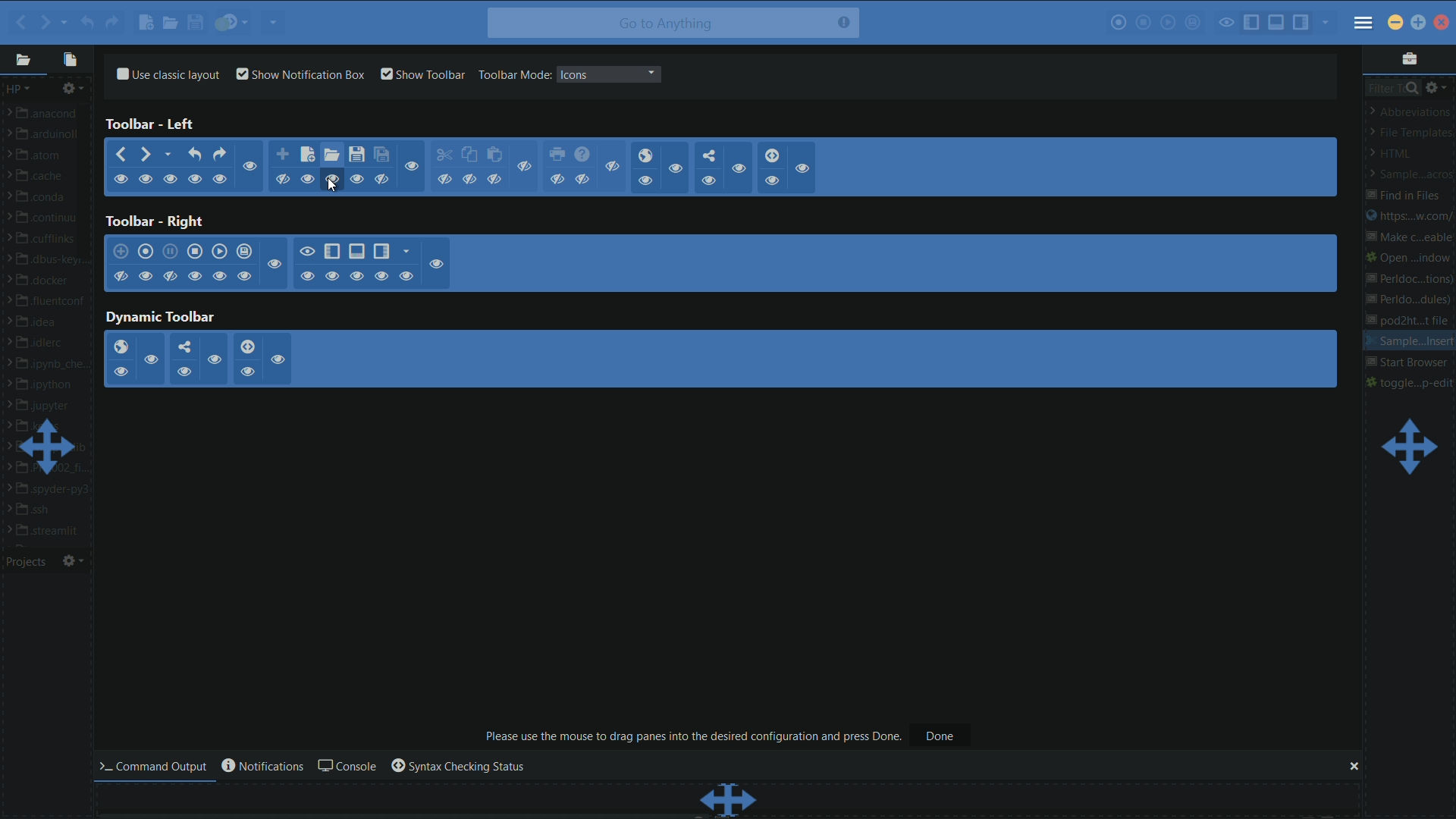 Image resolution: width=1456 pixels, height=819 pixels. What do you see at coordinates (345, 767) in the screenshot?
I see `console` at bounding box center [345, 767].